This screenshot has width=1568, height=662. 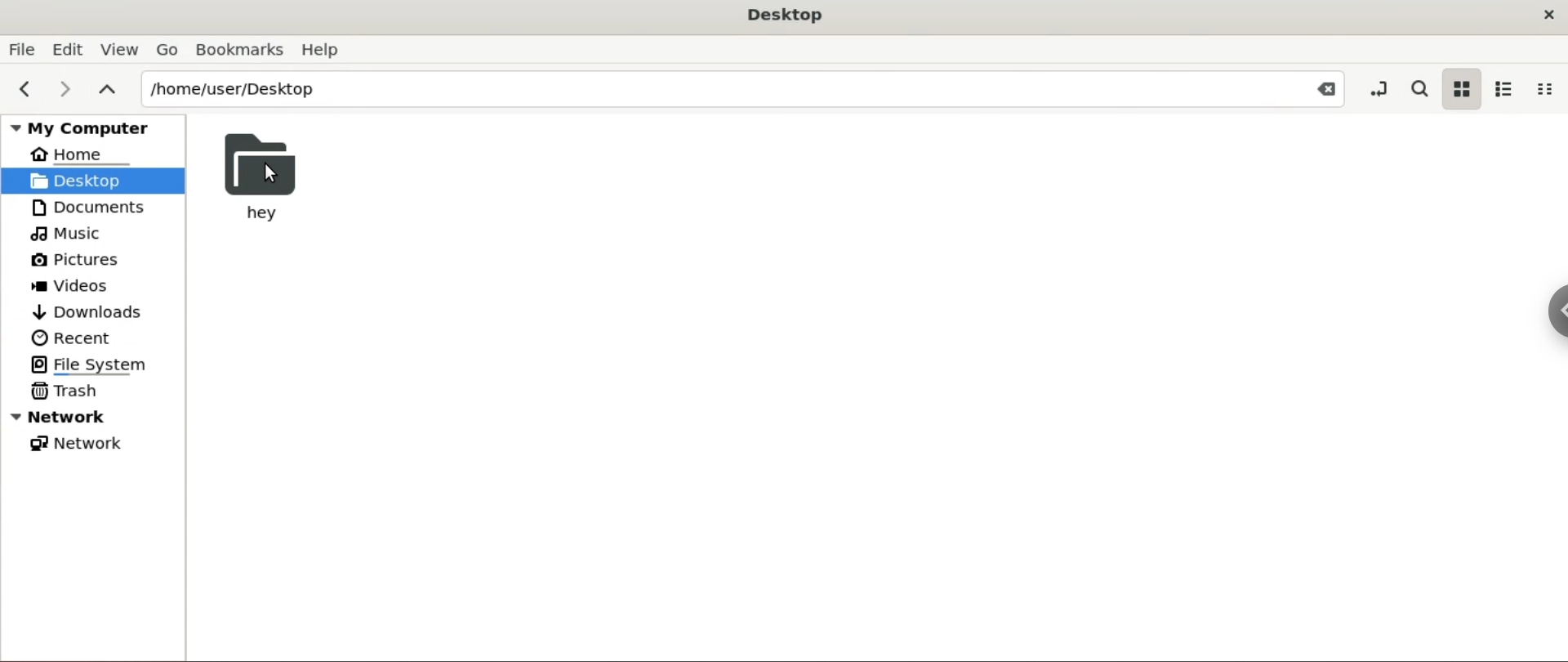 I want to click on Bookmarks, so click(x=238, y=48).